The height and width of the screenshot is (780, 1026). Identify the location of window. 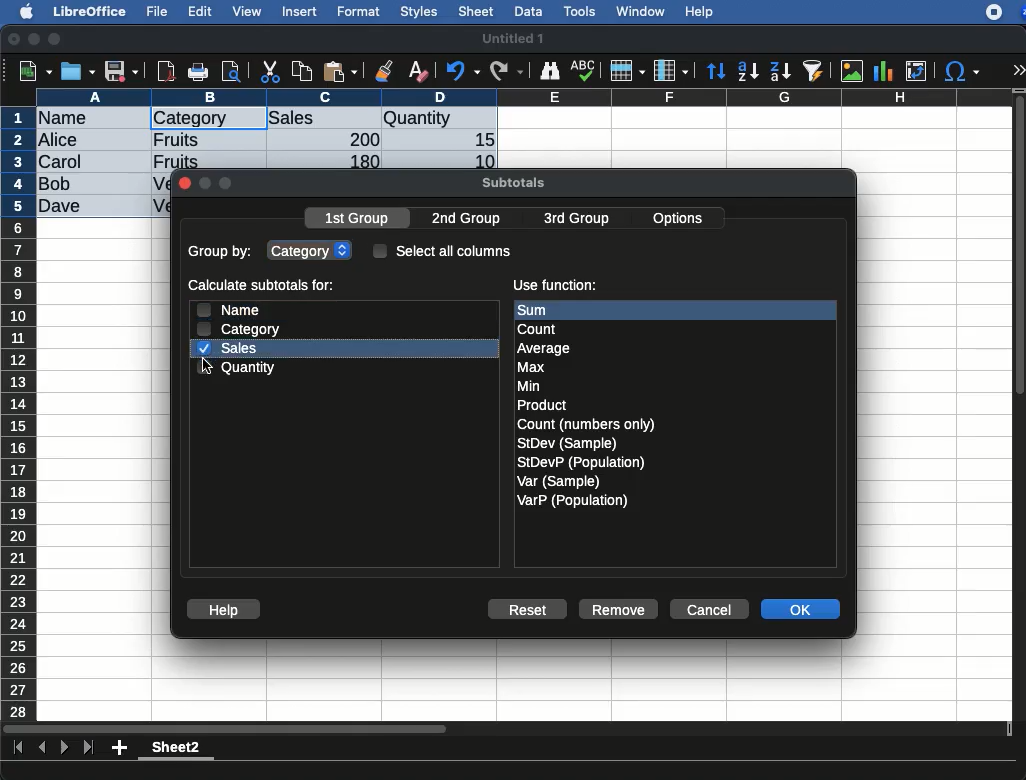
(638, 11).